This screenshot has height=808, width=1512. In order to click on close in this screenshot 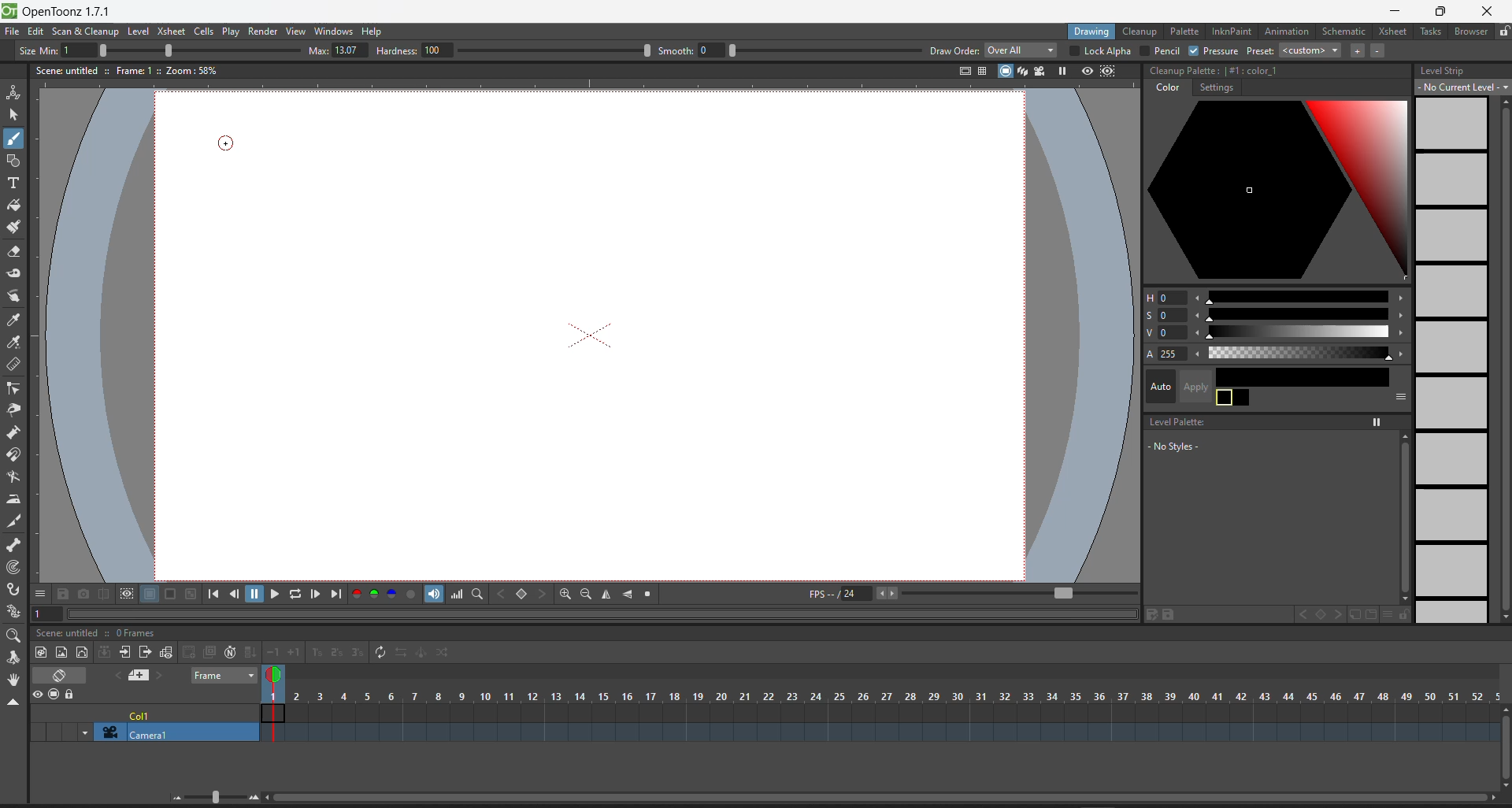, I will do `click(1490, 11)`.